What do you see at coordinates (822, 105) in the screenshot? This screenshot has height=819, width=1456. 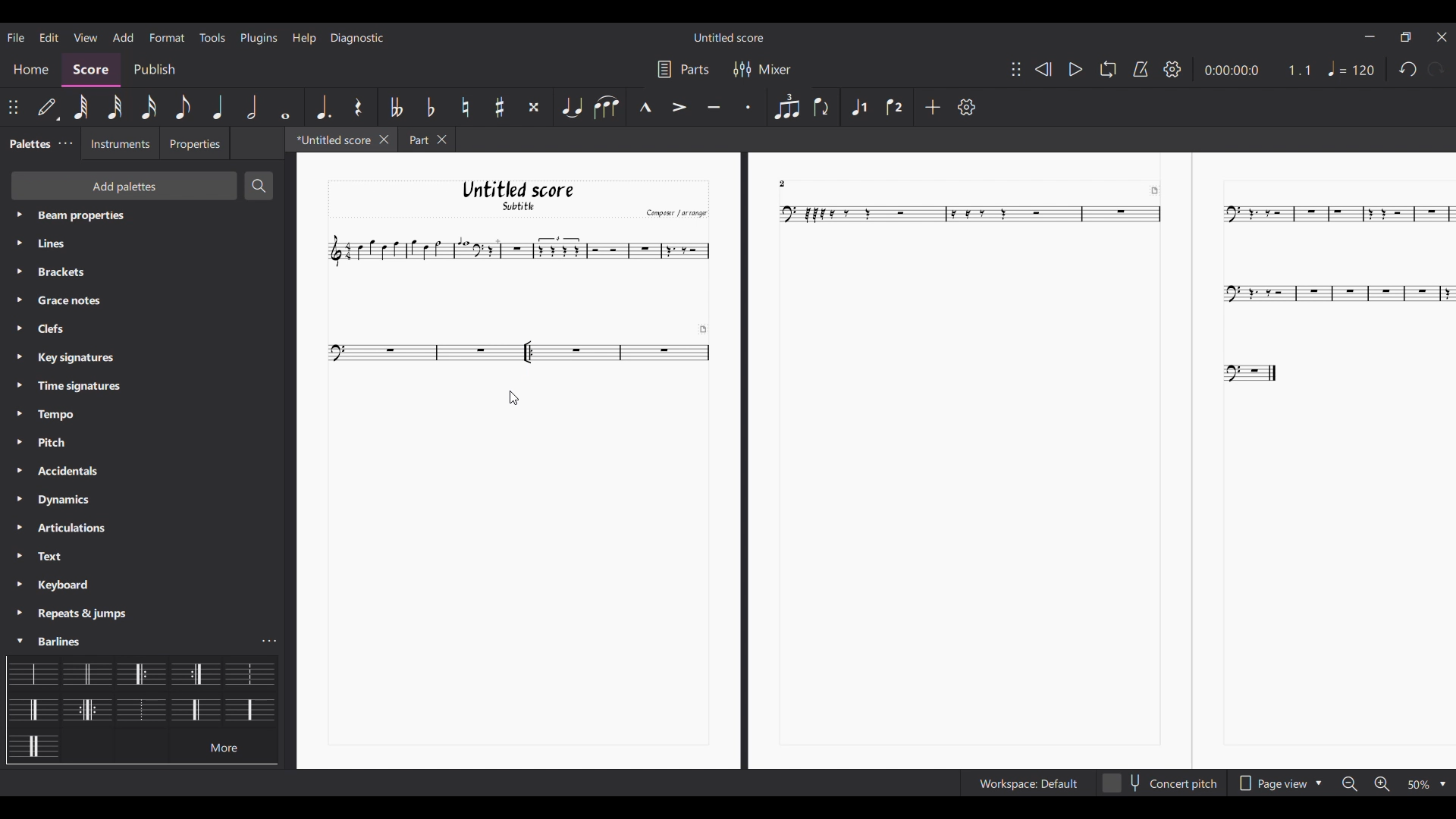 I see `Flip direction` at bounding box center [822, 105].